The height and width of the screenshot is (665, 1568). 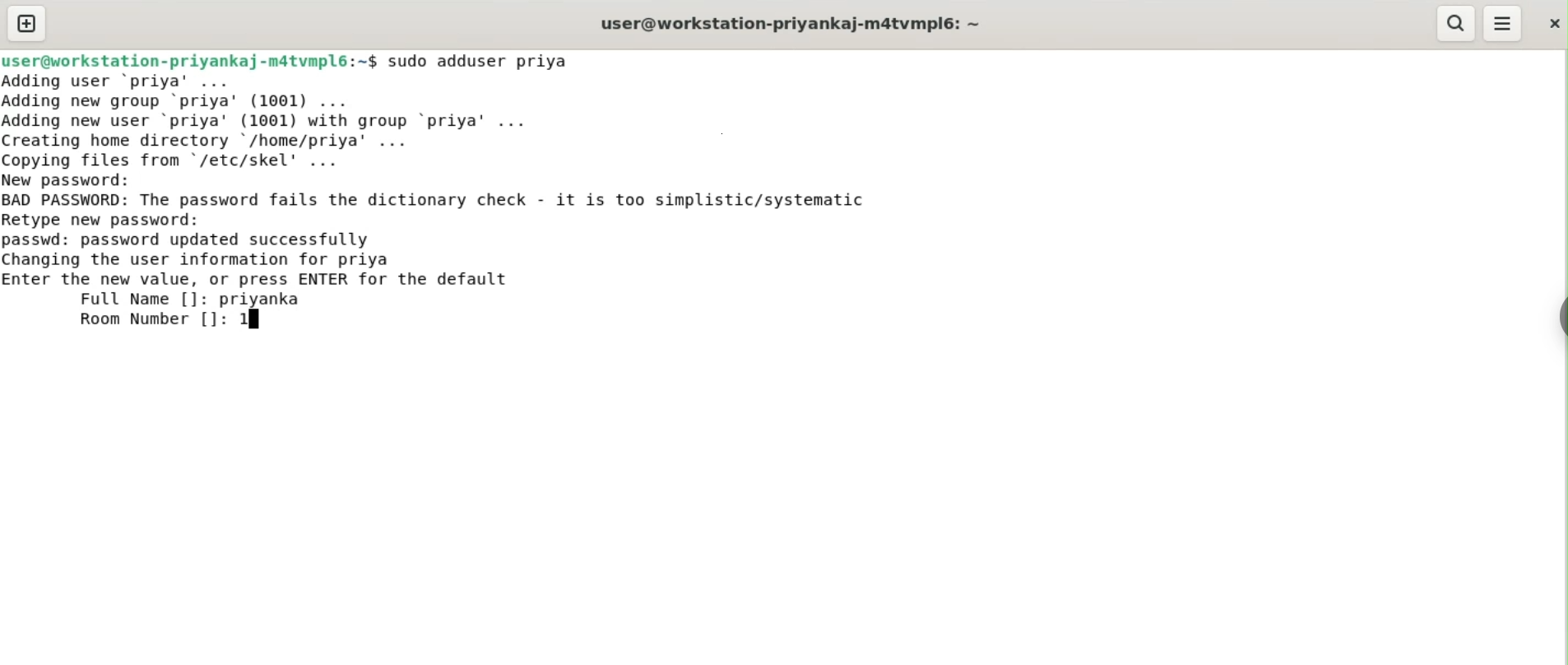 What do you see at coordinates (489, 61) in the screenshot?
I see `sudo adduser priya` at bounding box center [489, 61].